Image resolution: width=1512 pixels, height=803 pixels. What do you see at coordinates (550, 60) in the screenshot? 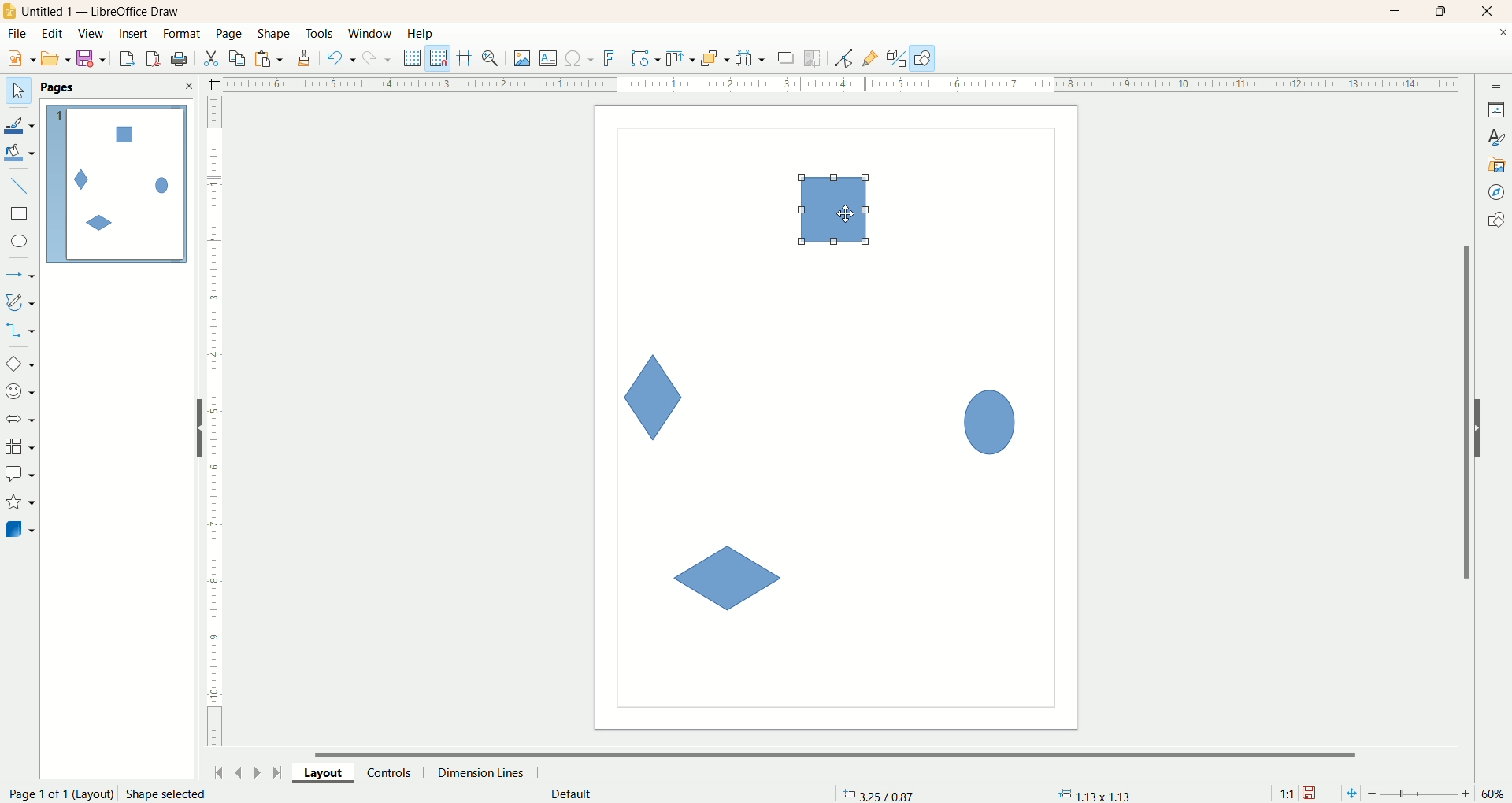
I see `text box` at bounding box center [550, 60].